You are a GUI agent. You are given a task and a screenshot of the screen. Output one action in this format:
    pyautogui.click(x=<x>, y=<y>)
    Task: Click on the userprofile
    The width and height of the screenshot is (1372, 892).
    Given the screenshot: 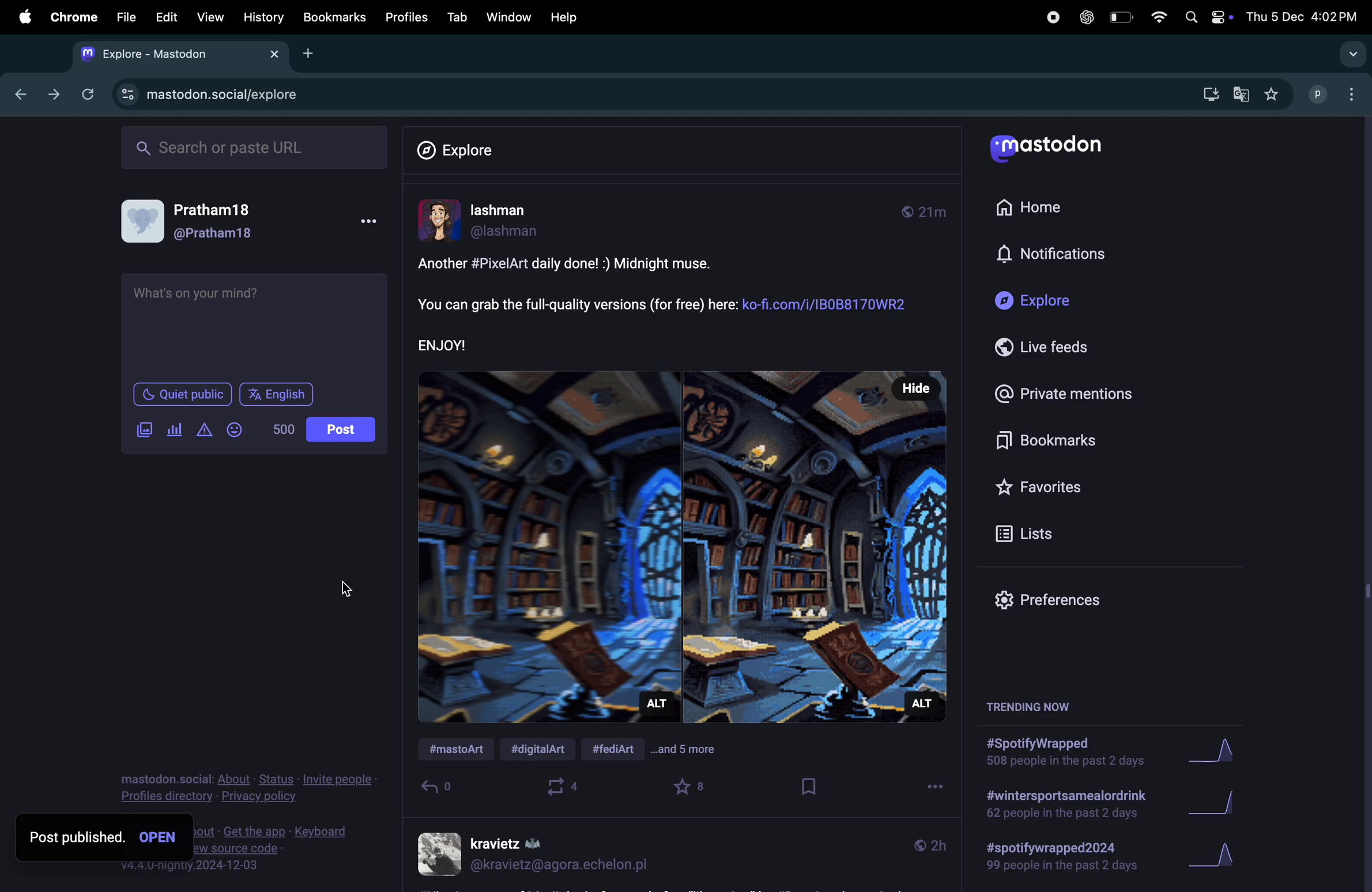 What is the action you would take?
    pyautogui.click(x=515, y=222)
    